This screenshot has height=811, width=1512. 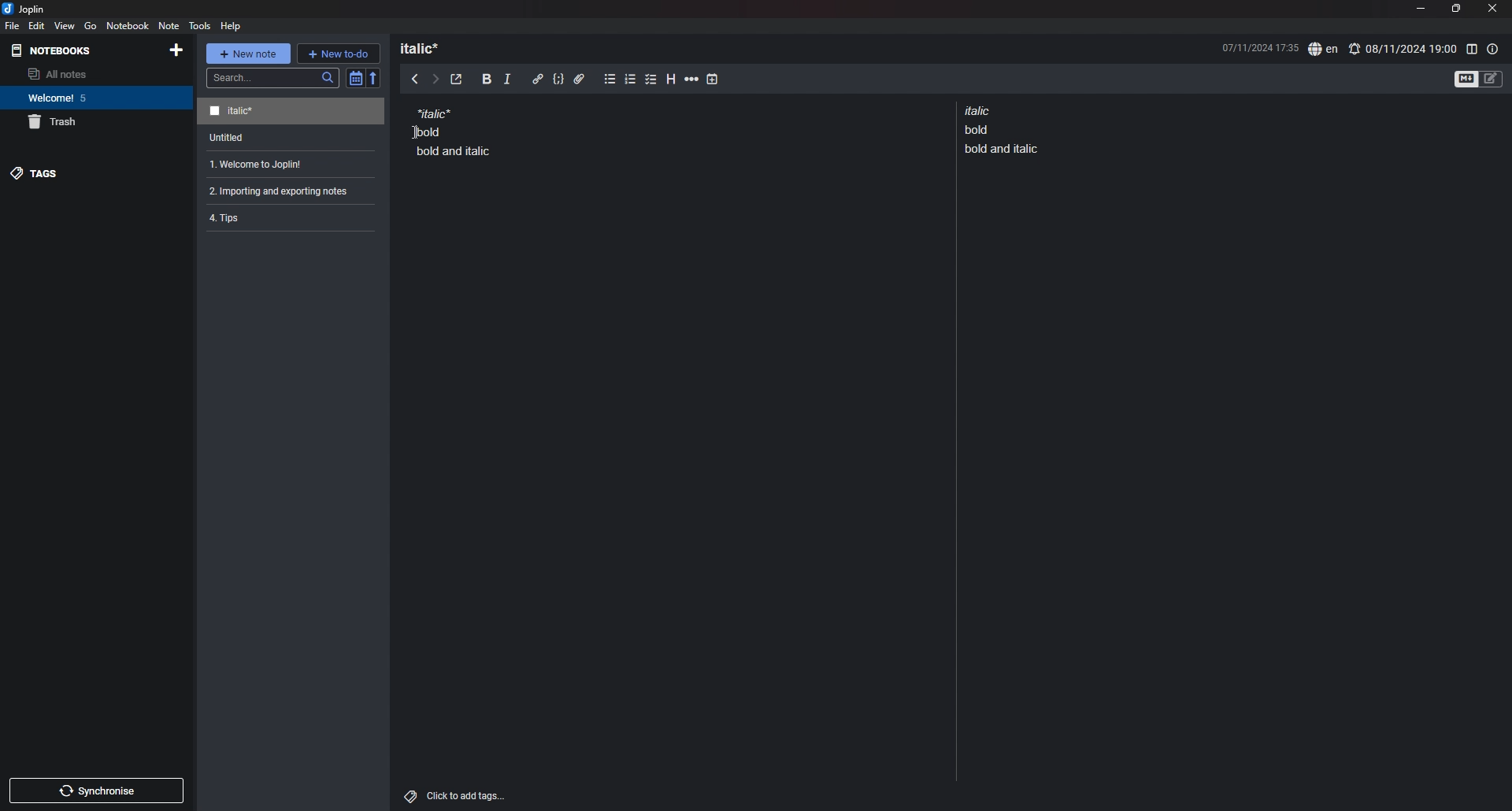 I want to click on note, so click(x=454, y=131).